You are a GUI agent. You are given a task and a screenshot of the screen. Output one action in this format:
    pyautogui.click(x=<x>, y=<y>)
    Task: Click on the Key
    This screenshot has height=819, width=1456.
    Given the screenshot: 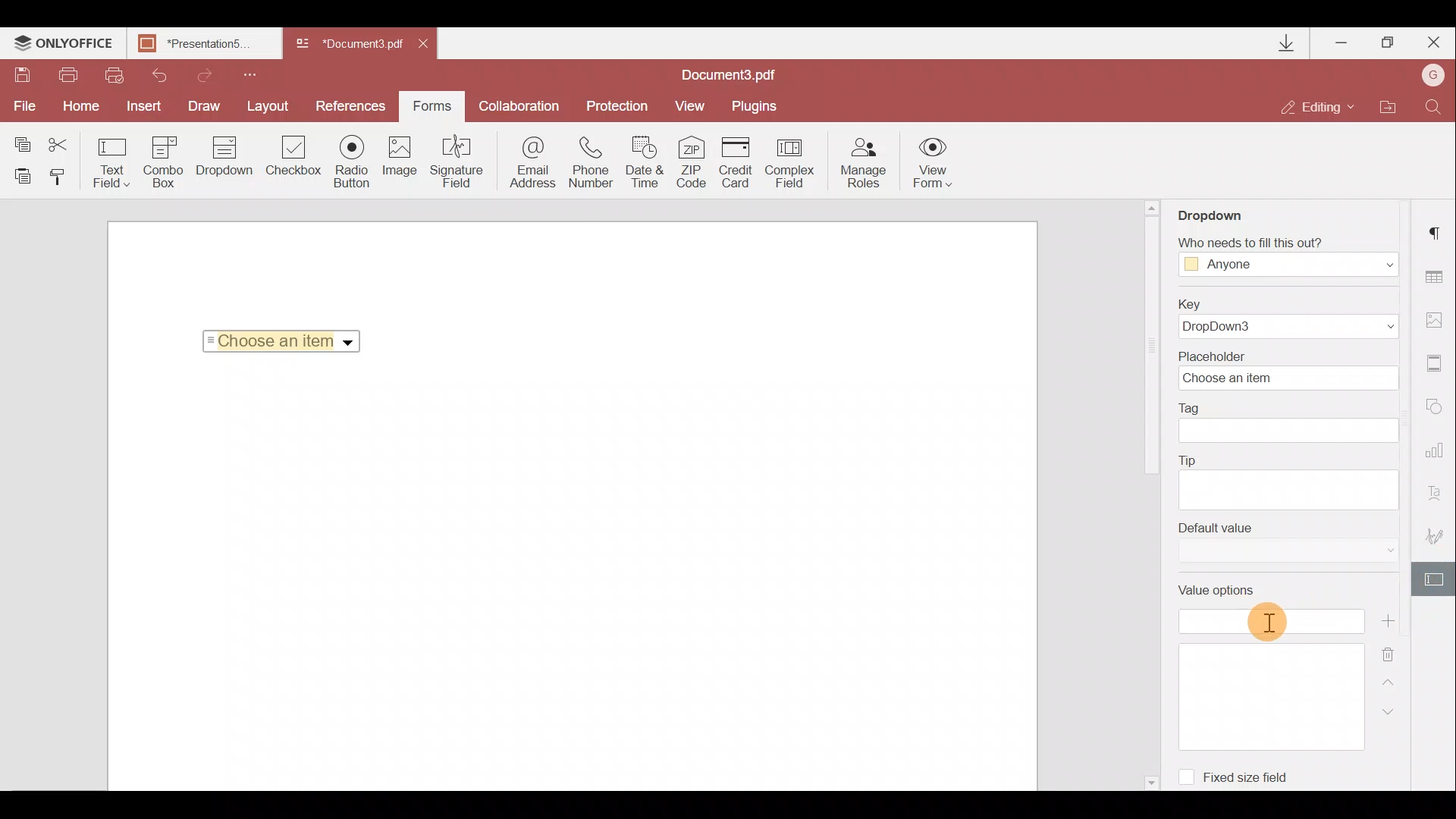 What is the action you would take?
    pyautogui.click(x=1292, y=317)
    